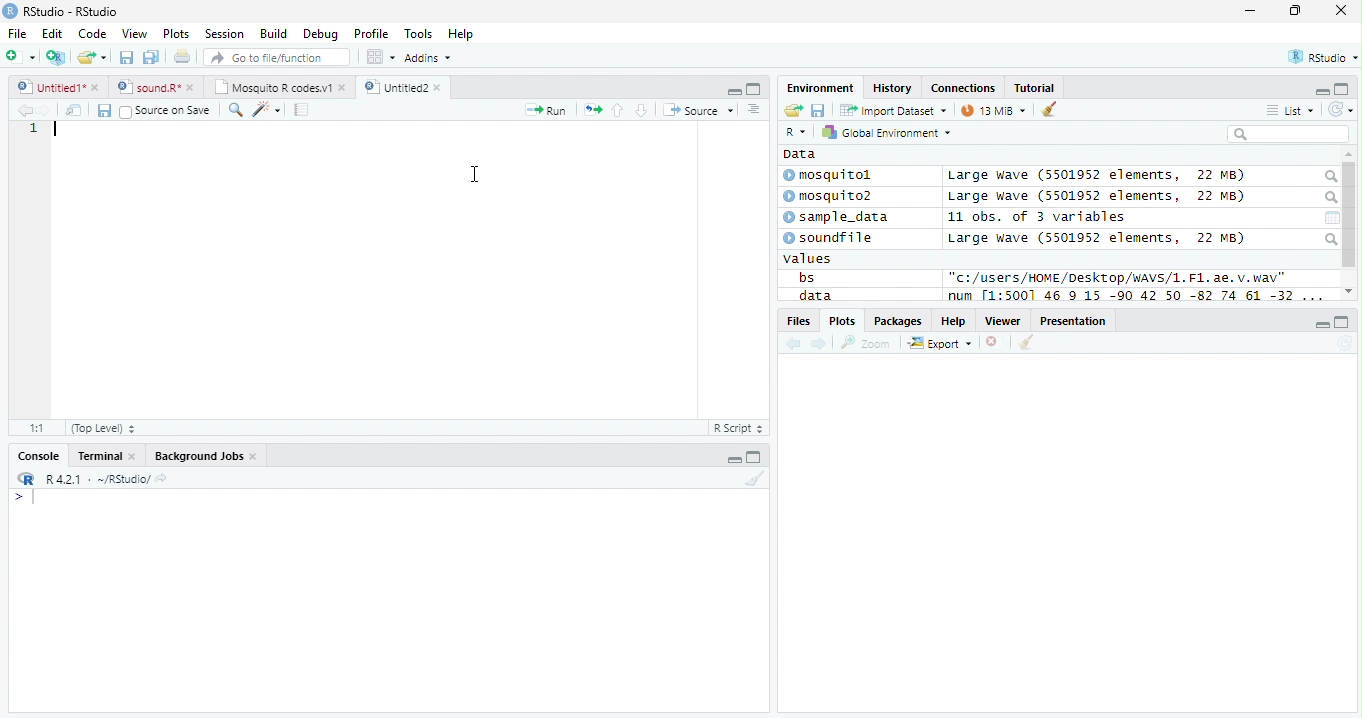 This screenshot has height=718, width=1362. What do you see at coordinates (1349, 155) in the screenshot?
I see `scroll up` at bounding box center [1349, 155].